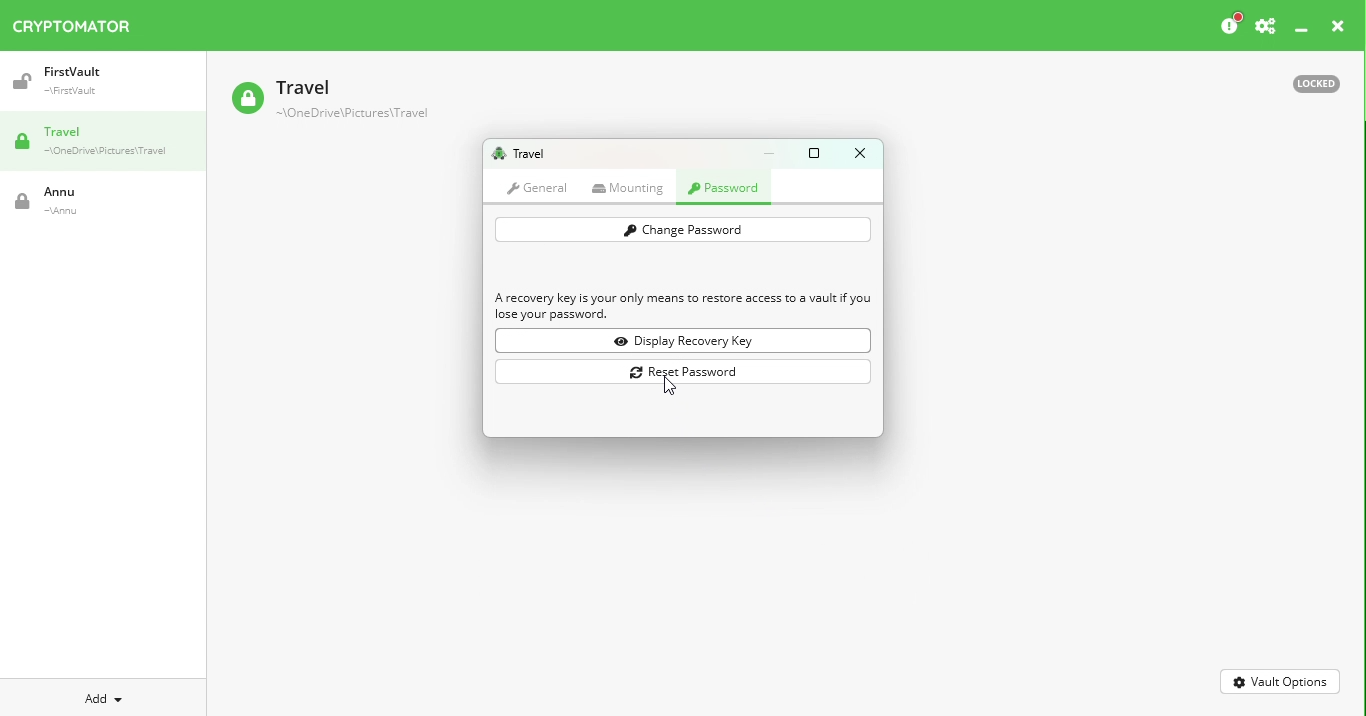 The image size is (1366, 716). I want to click on Close, so click(1338, 29).